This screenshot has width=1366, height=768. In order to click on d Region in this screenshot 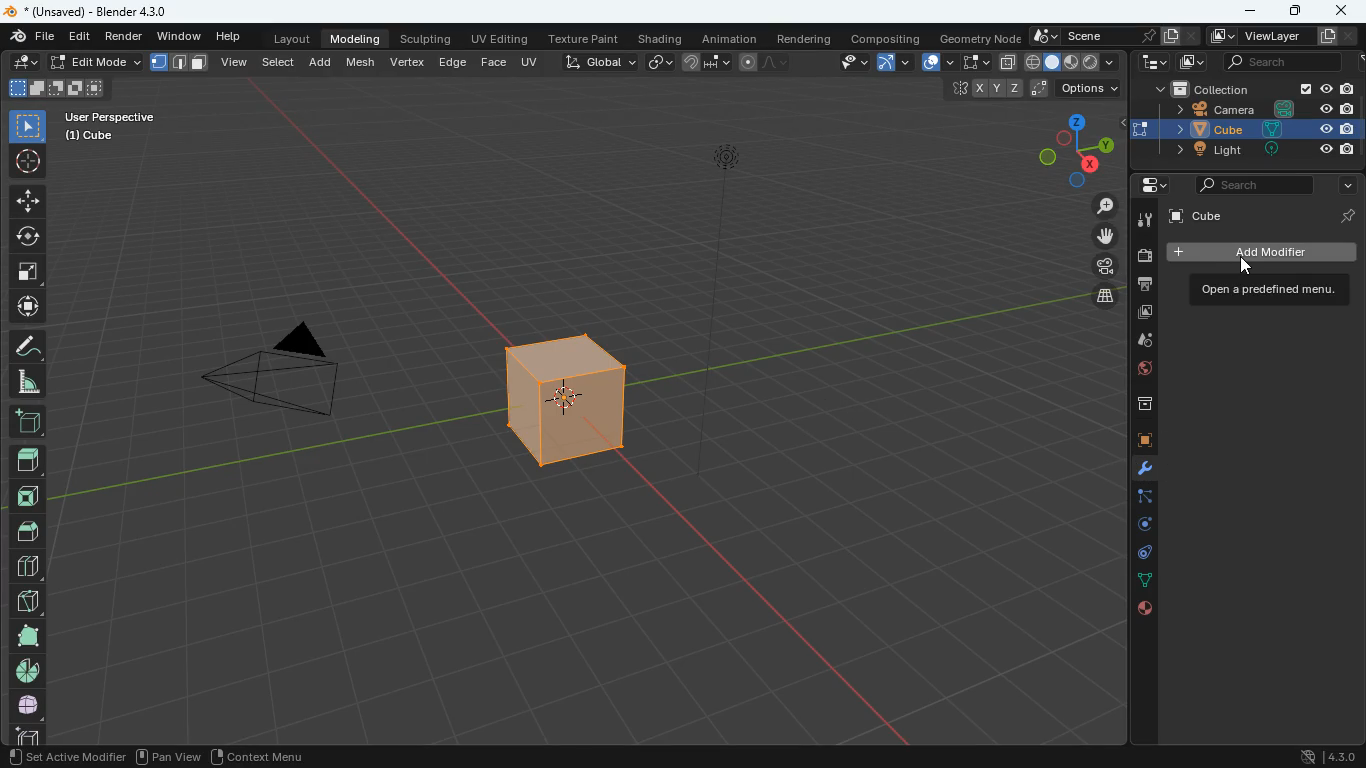, I will do `click(144, 756)`.